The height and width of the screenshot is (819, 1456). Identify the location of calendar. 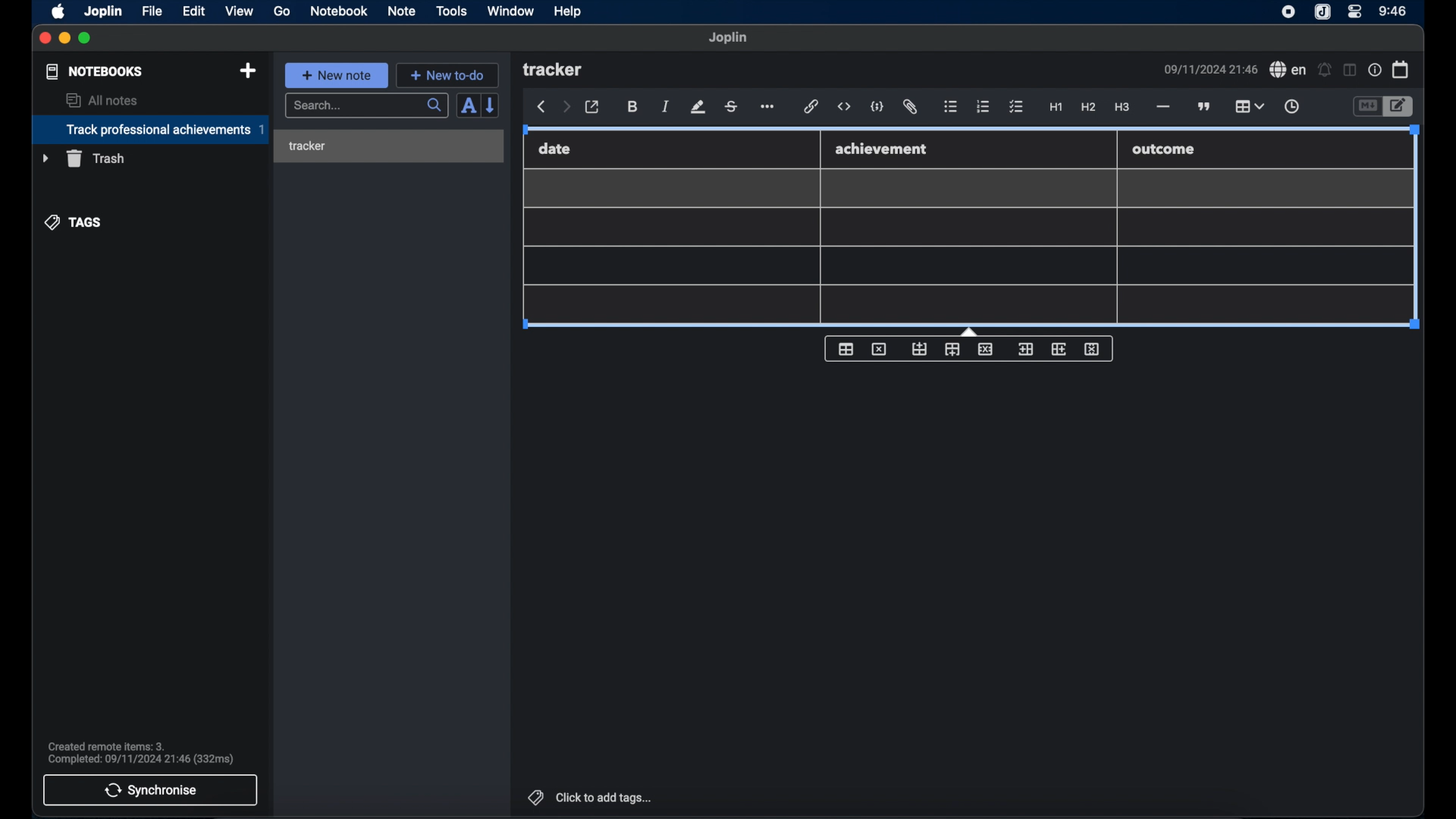
(1401, 69).